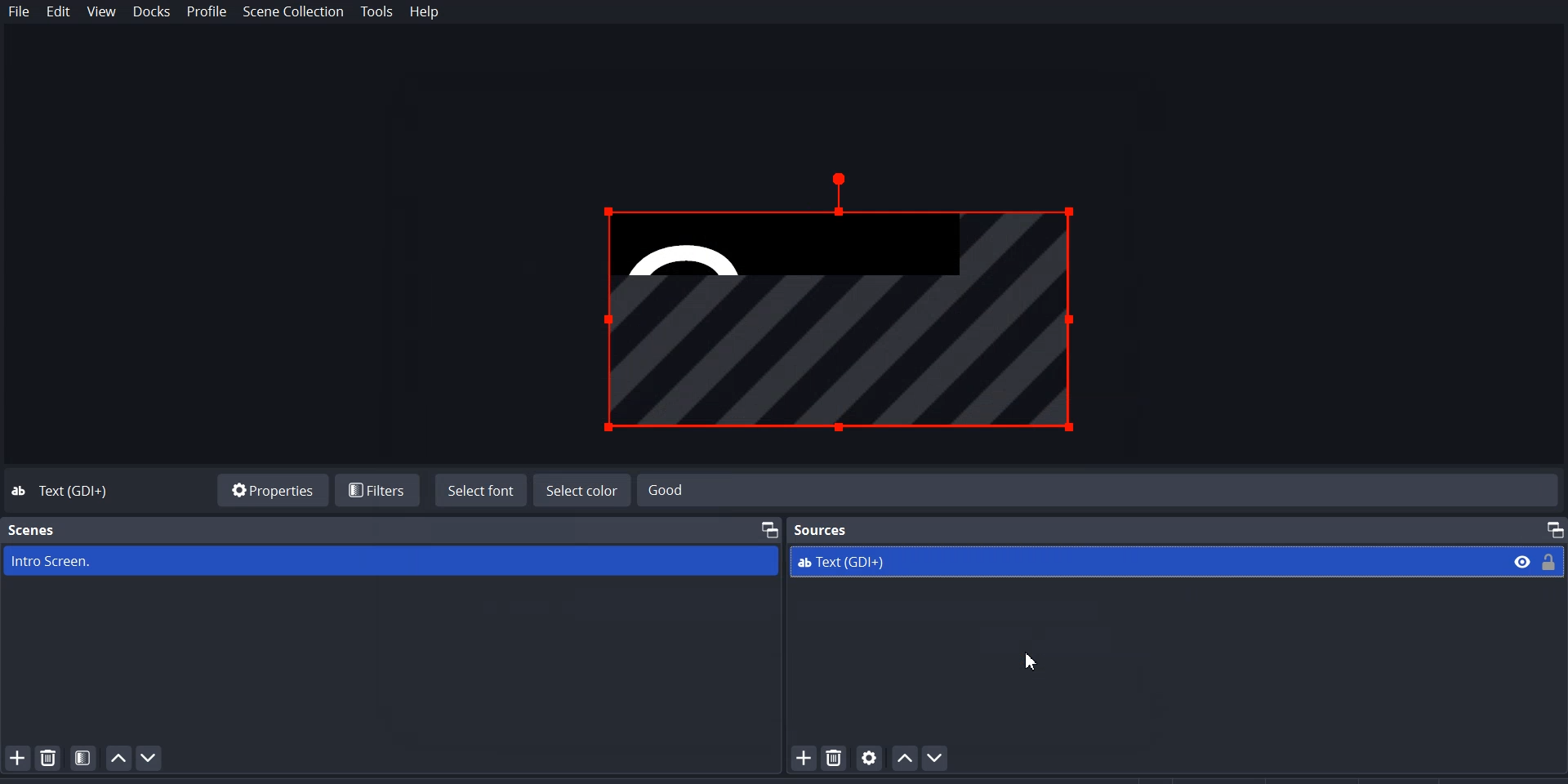 This screenshot has height=784, width=1568. What do you see at coordinates (1522, 560) in the screenshot?
I see `Eye` at bounding box center [1522, 560].